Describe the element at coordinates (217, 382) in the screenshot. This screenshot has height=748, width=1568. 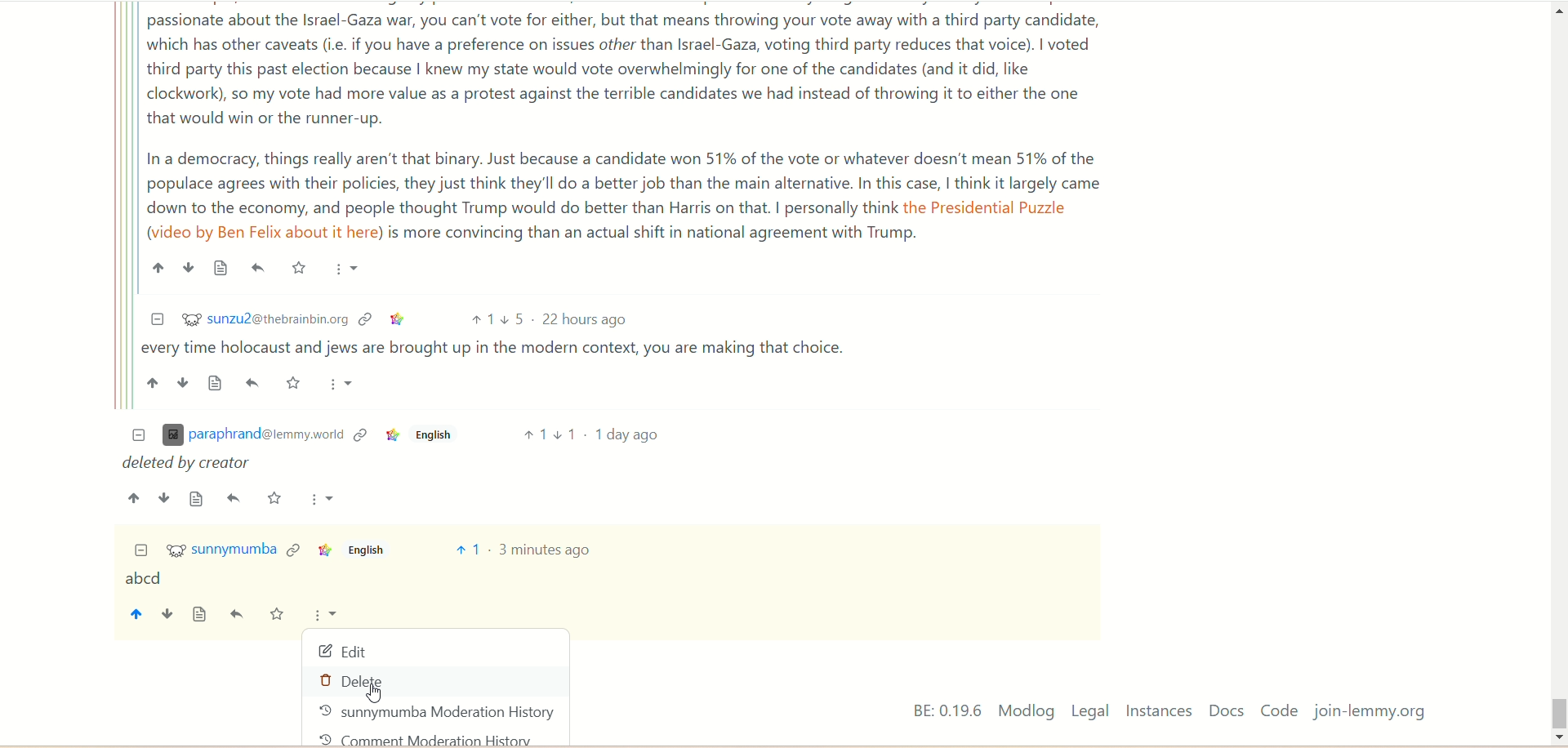
I see `Source` at that location.